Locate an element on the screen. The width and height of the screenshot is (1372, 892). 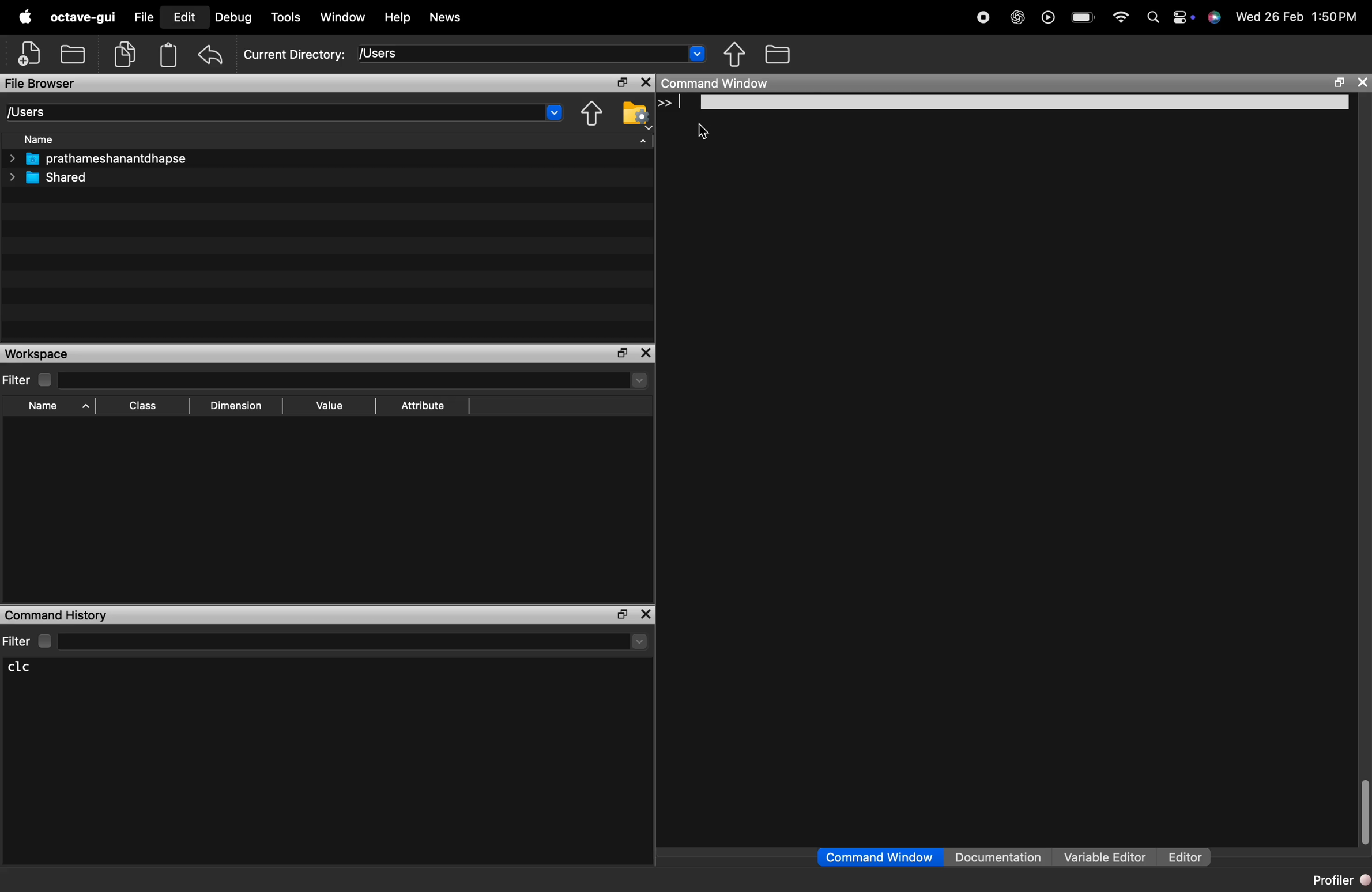
close is located at coordinates (1361, 84).